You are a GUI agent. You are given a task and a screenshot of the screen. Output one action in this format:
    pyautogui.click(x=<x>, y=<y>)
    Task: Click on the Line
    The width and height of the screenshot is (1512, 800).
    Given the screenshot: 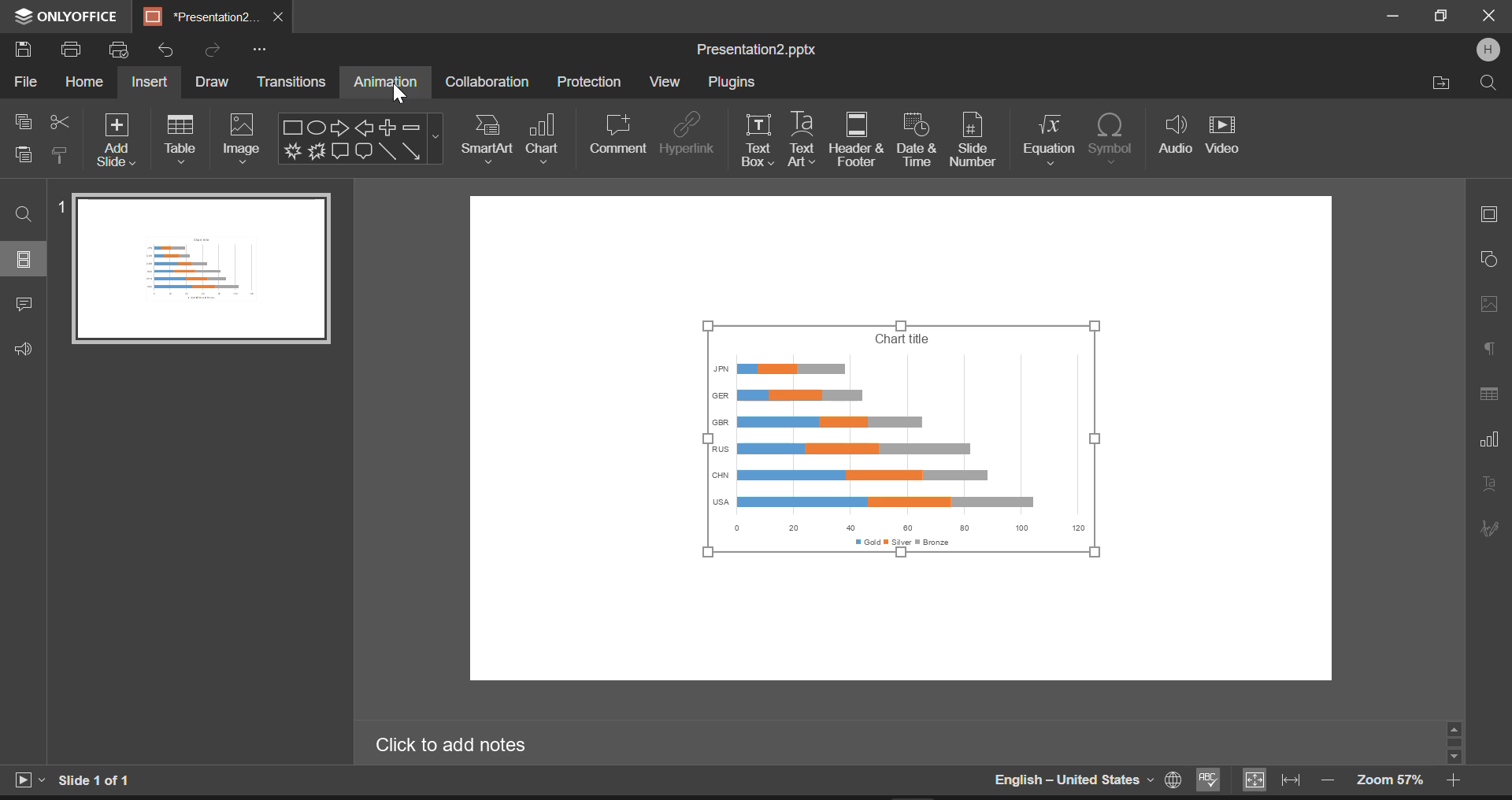 What is the action you would take?
    pyautogui.click(x=387, y=152)
    